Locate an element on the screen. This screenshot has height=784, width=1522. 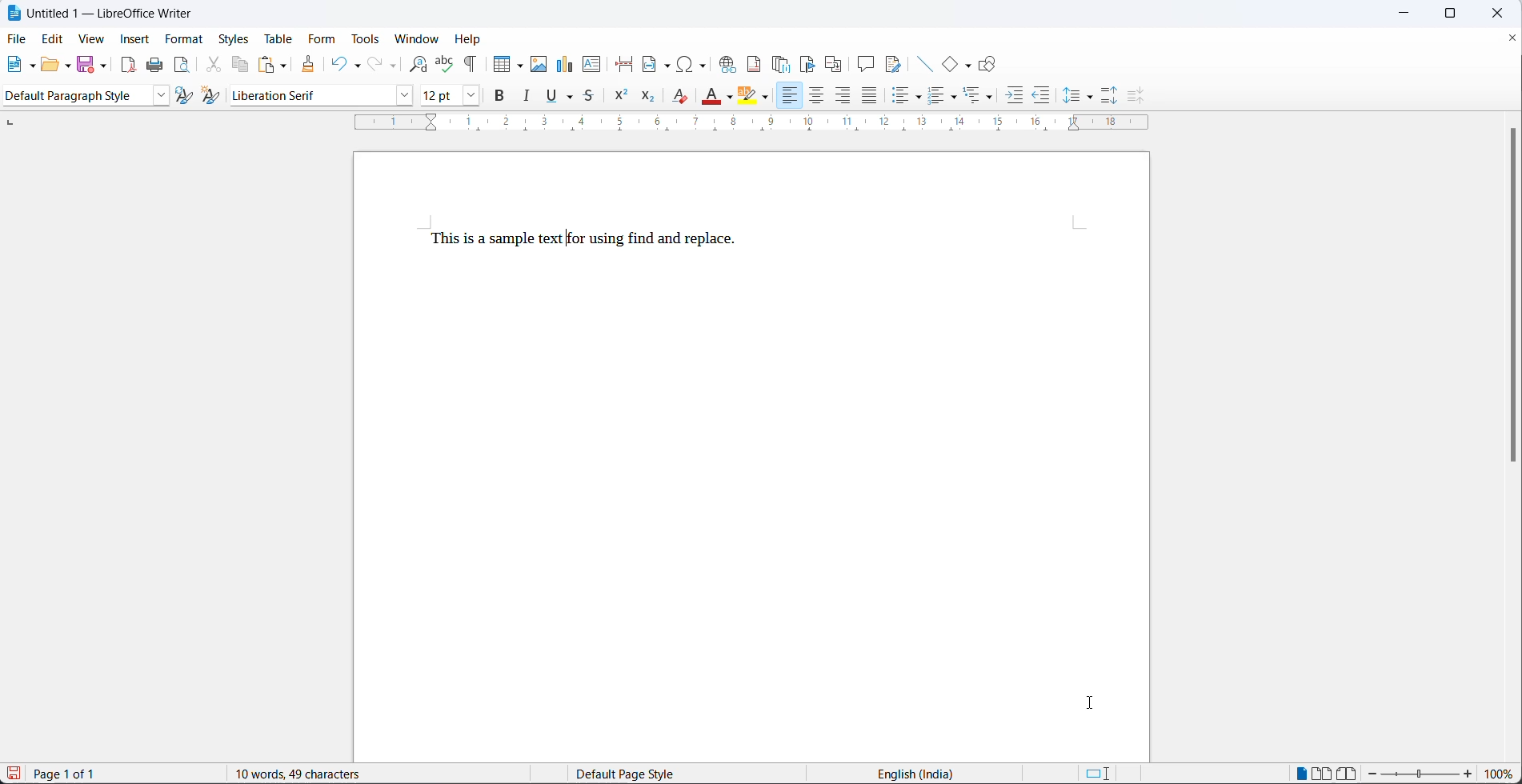
decrease paragraph spacing is located at coordinates (1133, 96).